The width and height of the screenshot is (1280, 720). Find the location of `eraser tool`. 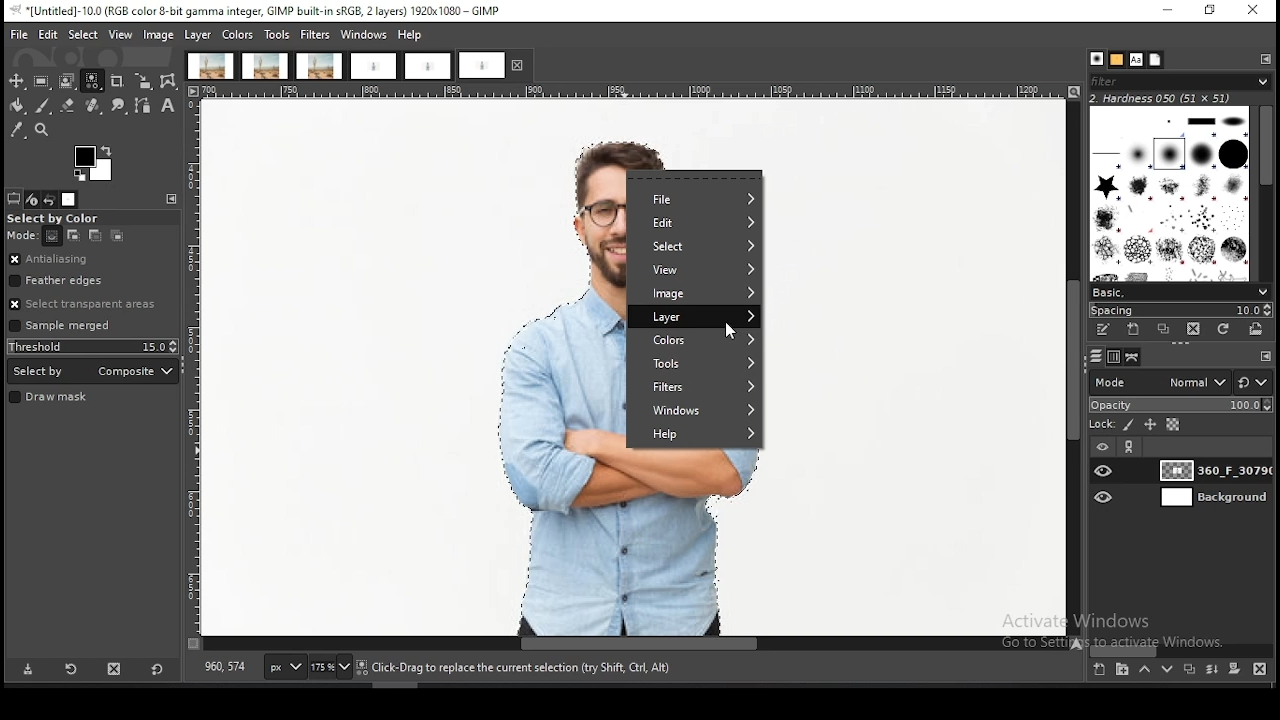

eraser tool is located at coordinates (68, 105).